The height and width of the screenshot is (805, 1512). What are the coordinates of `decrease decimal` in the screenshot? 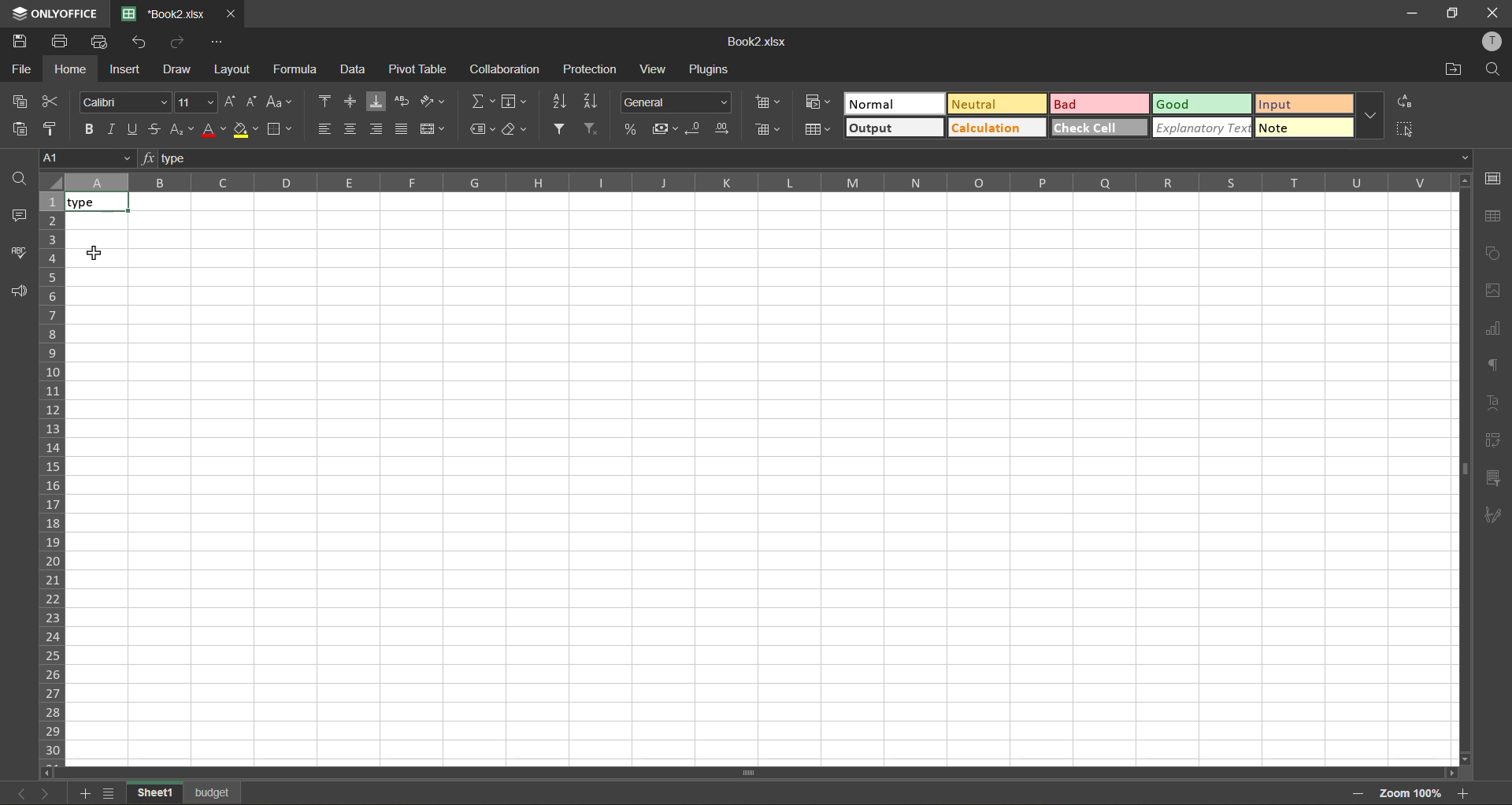 It's located at (699, 129).